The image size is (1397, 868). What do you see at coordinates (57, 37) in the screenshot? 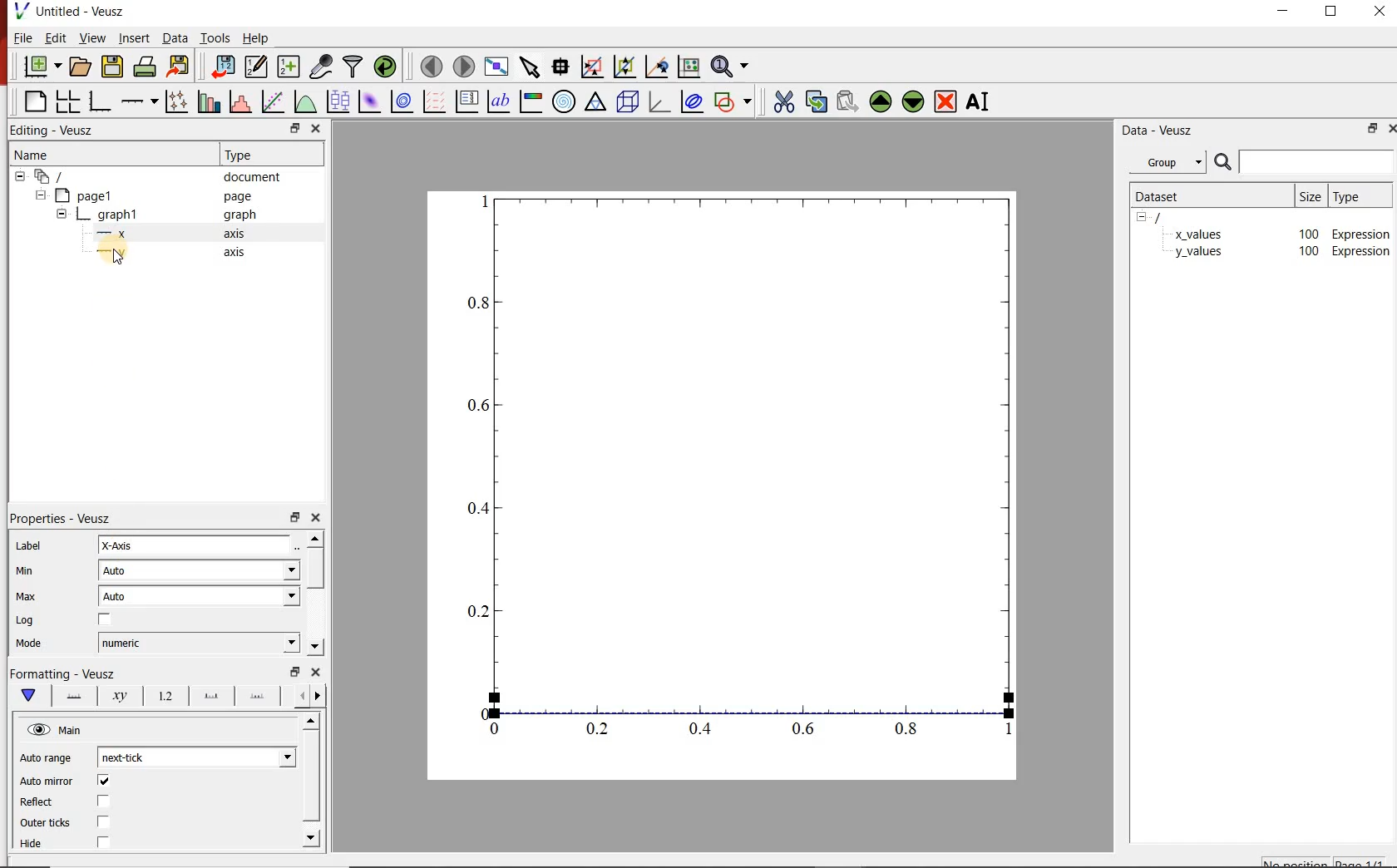
I see `edit ` at bounding box center [57, 37].